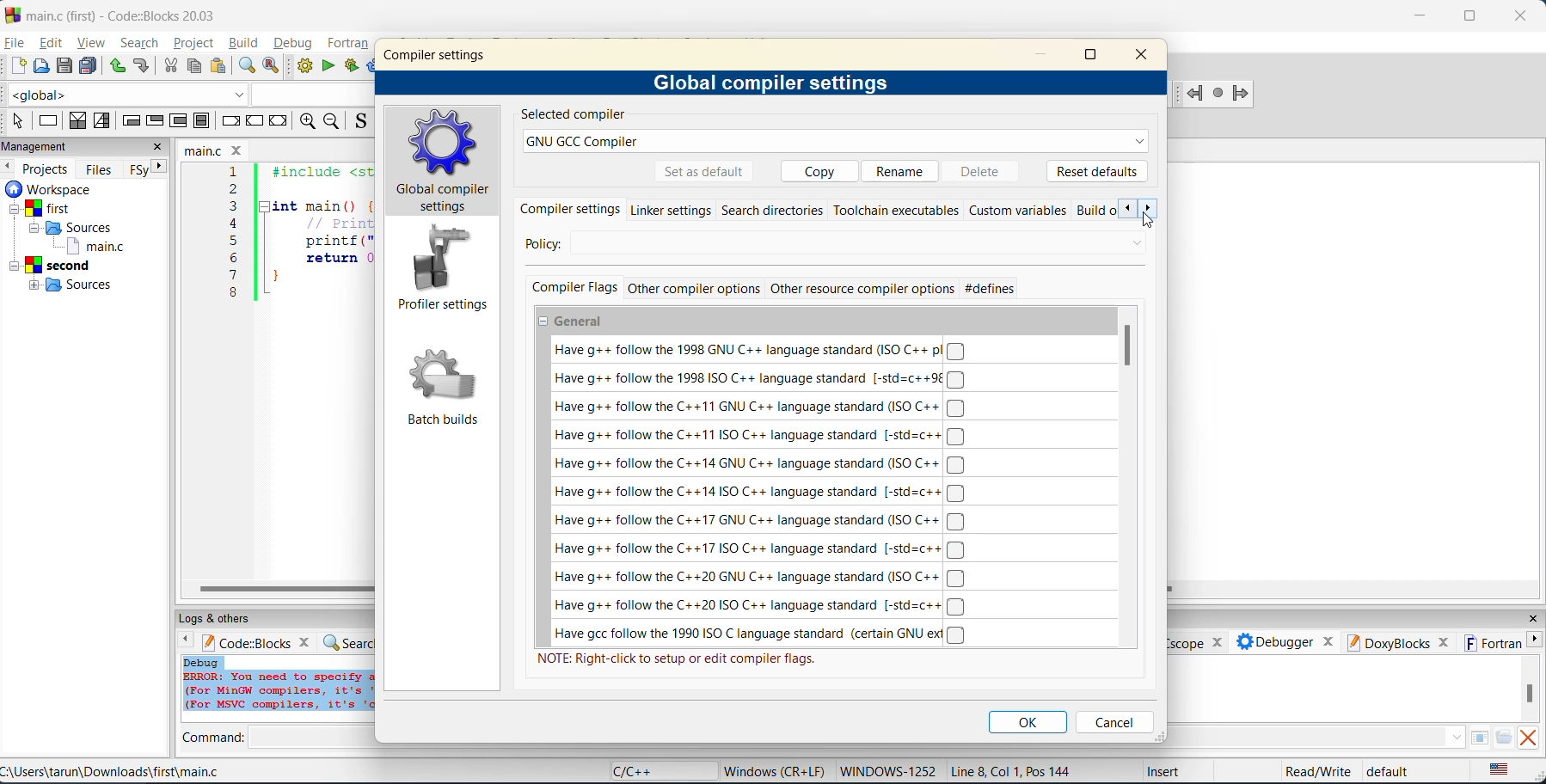 This screenshot has height=784, width=1546. Describe the element at coordinates (158, 148) in the screenshot. I see `close` at that location.